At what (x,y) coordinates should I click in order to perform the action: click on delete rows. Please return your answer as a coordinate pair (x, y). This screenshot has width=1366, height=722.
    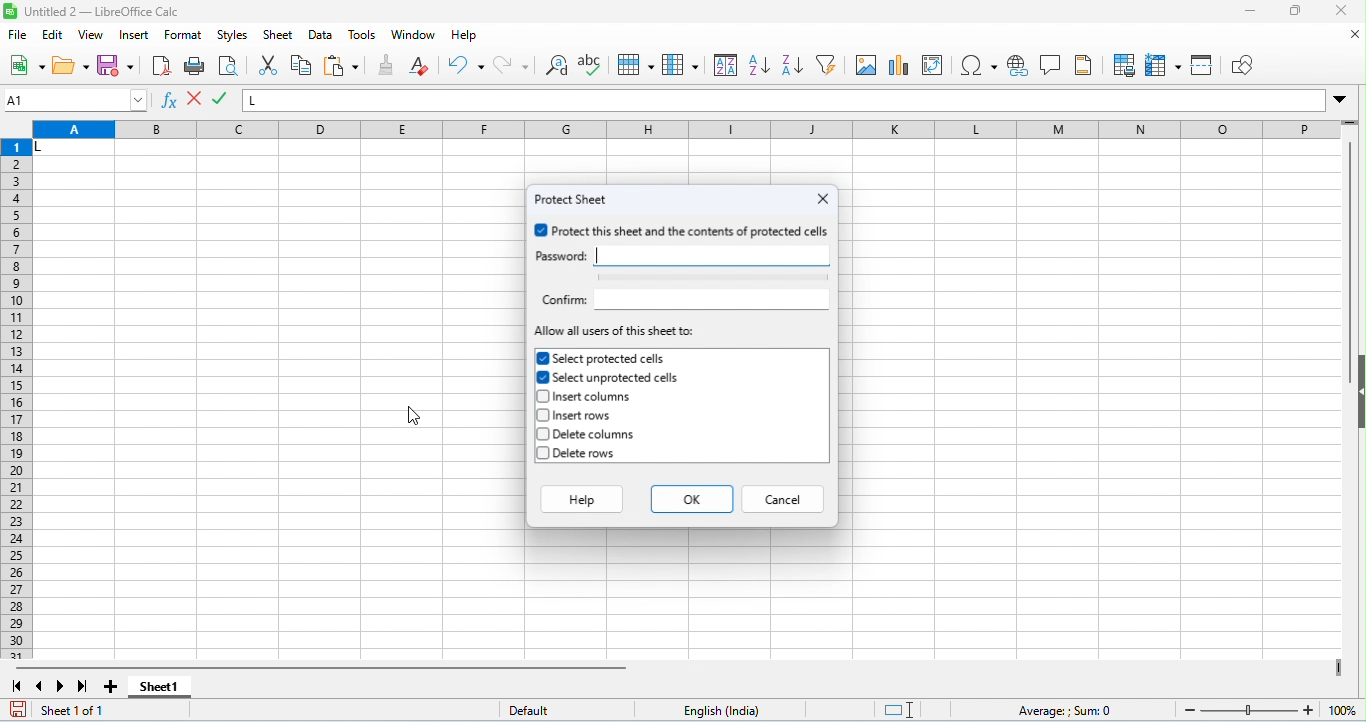
    Looking at the image, I should click on (581, 455).